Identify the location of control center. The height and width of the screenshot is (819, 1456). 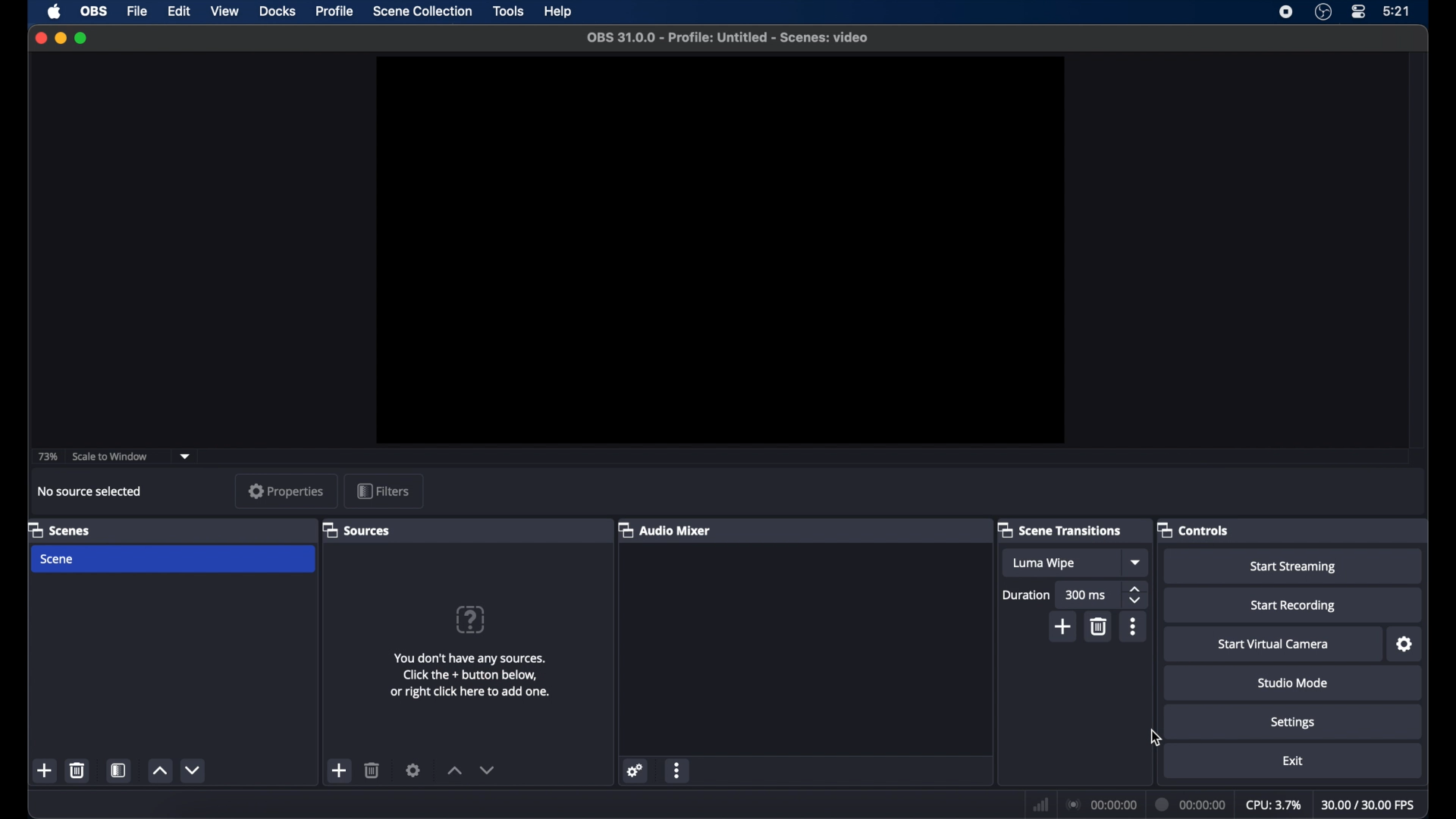
(1357, 12).